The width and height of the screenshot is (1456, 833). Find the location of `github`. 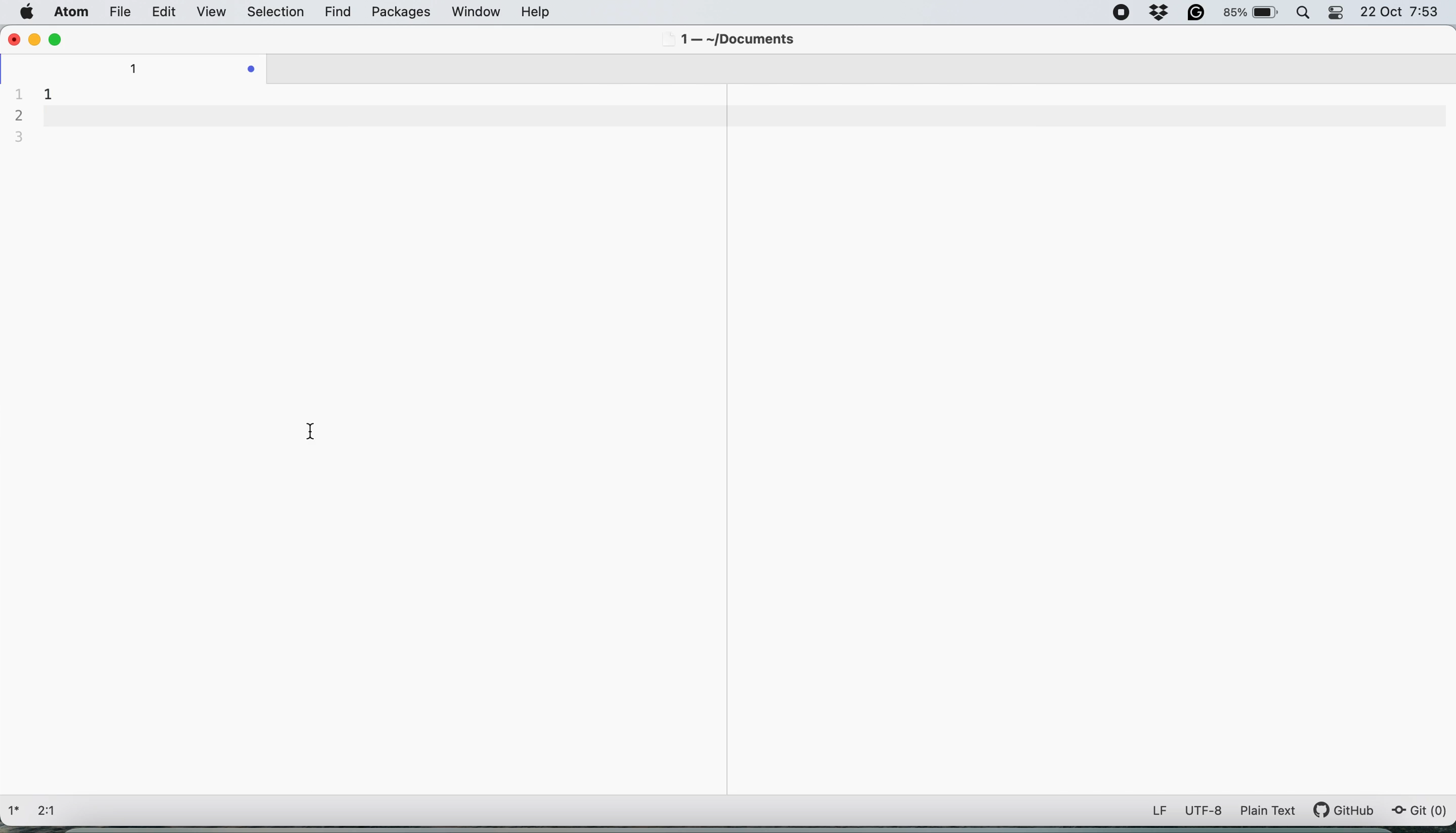

github is located at coordinates (1351, 810).